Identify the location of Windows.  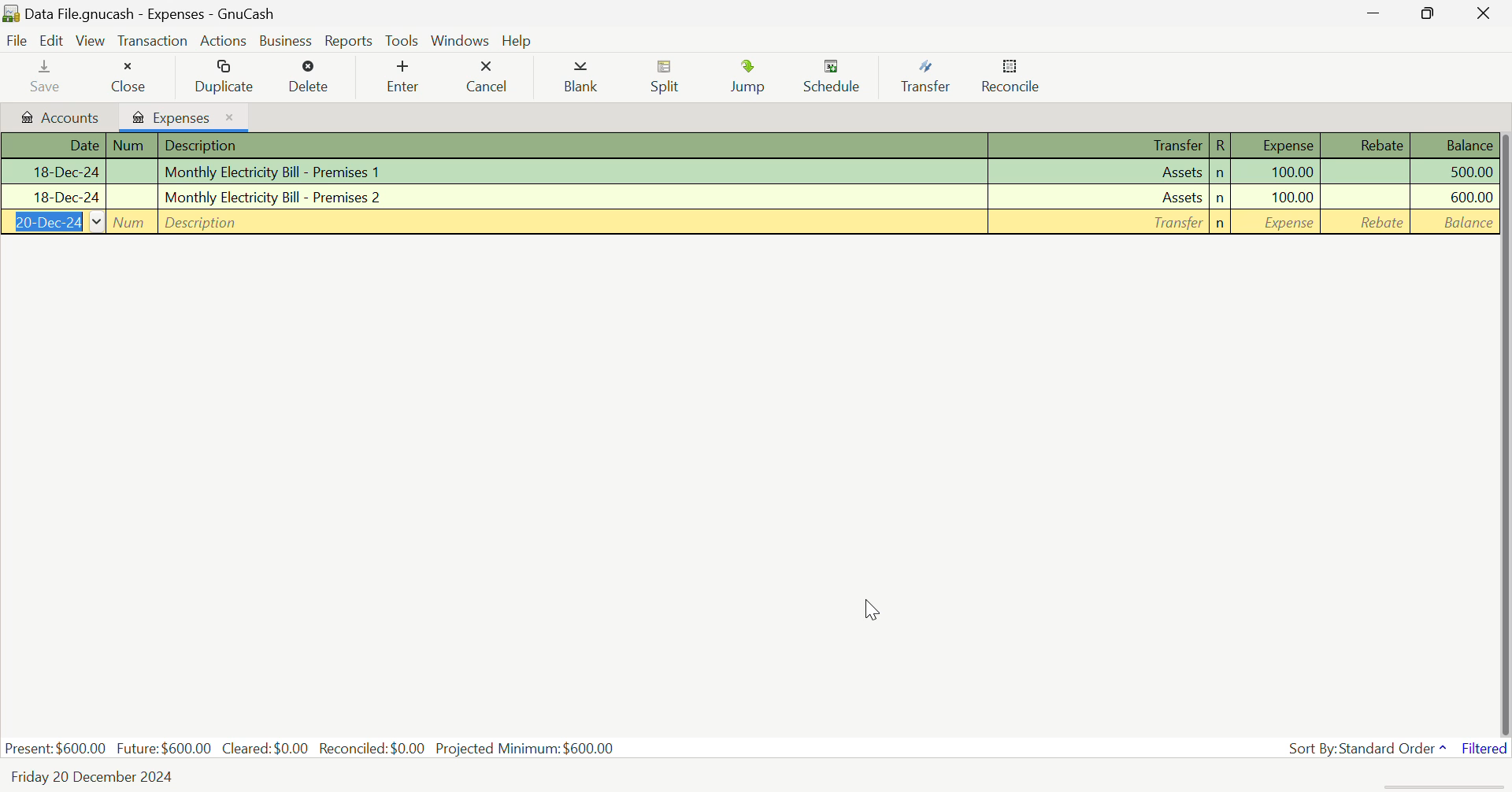
(461, 39).